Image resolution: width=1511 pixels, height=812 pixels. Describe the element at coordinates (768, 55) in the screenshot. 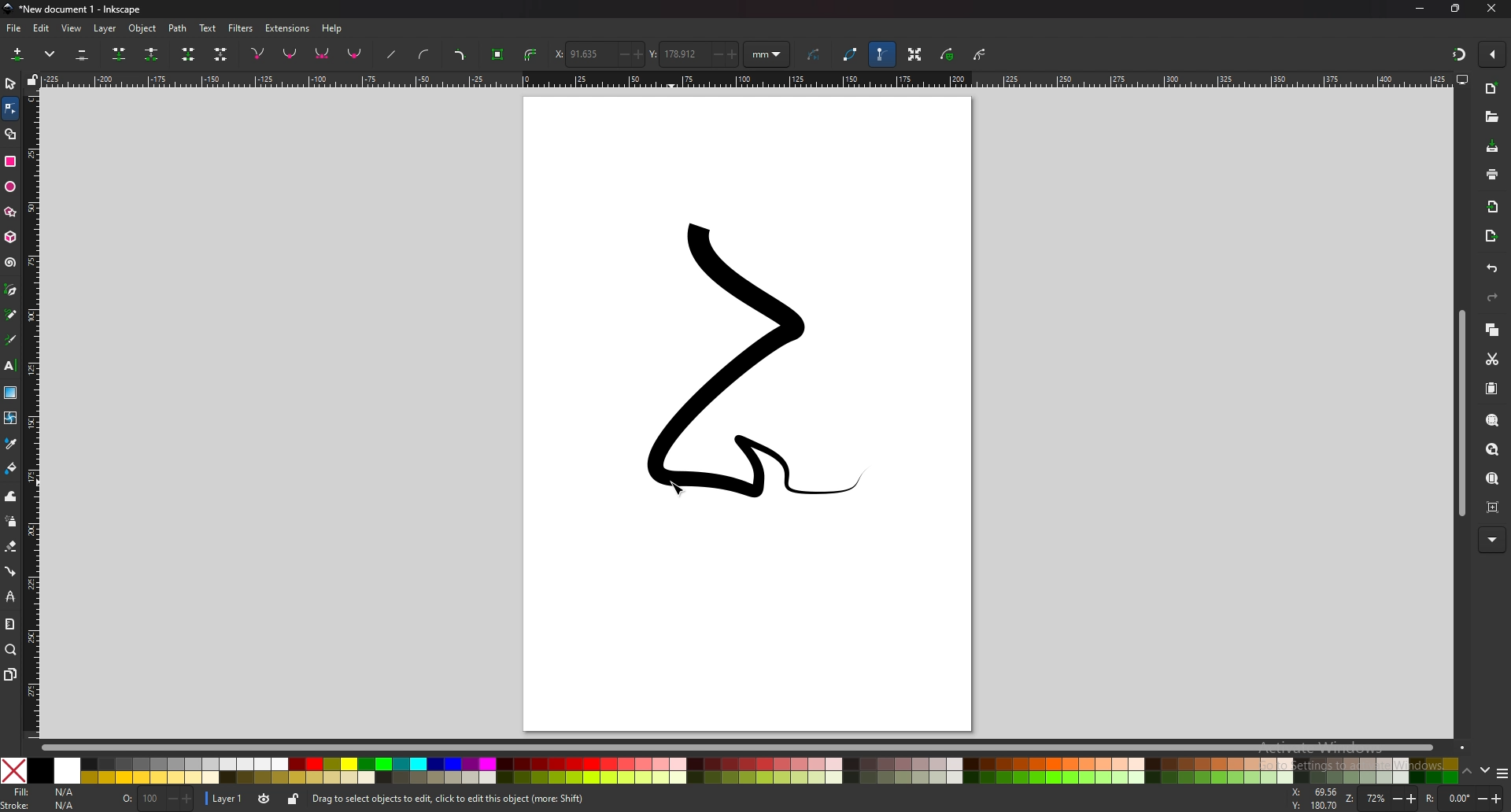

I see `units` at that location.